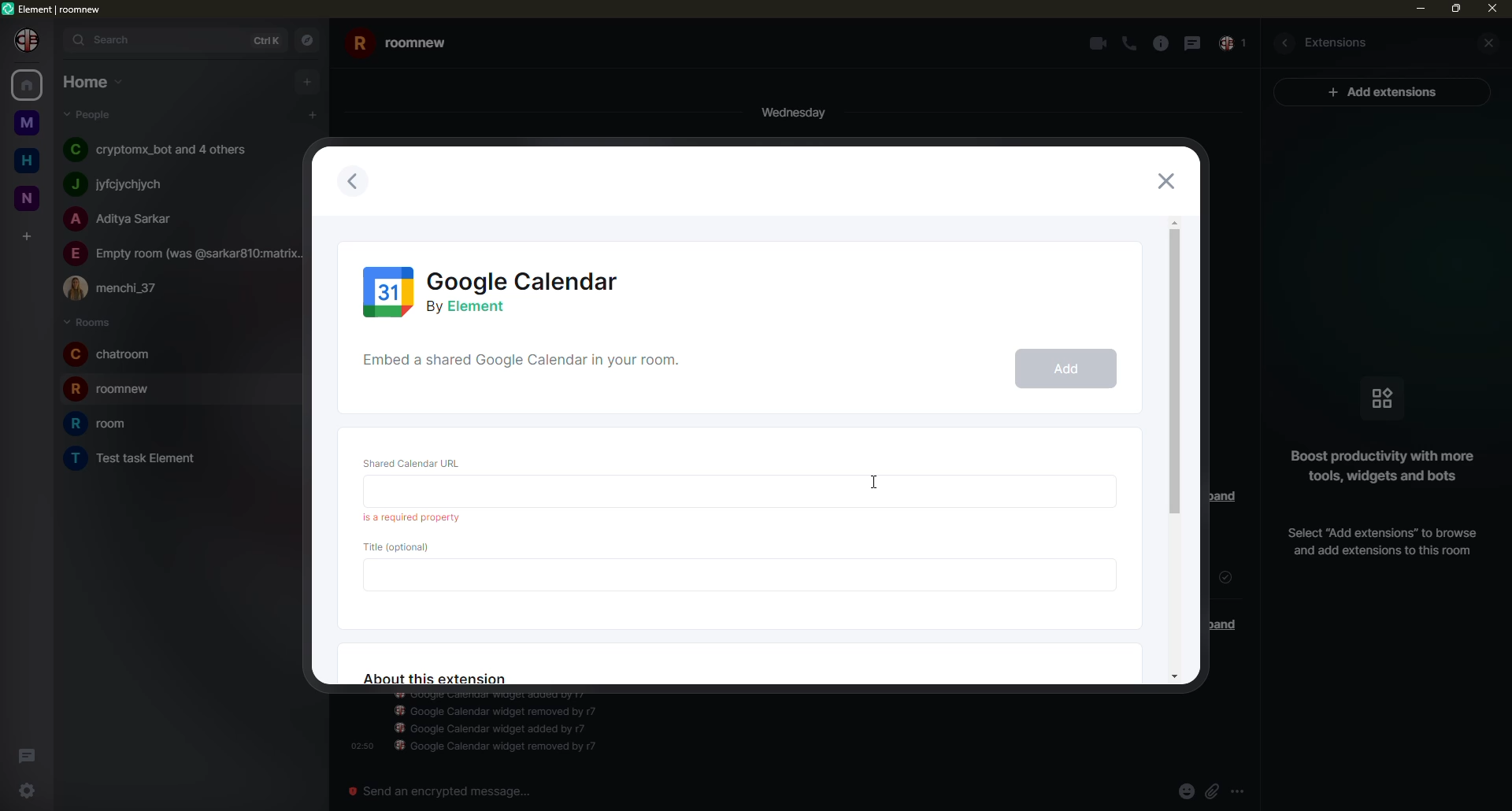  Describe the element at coordinates (1493, 11) in the screenshot. I see `close` at that location.